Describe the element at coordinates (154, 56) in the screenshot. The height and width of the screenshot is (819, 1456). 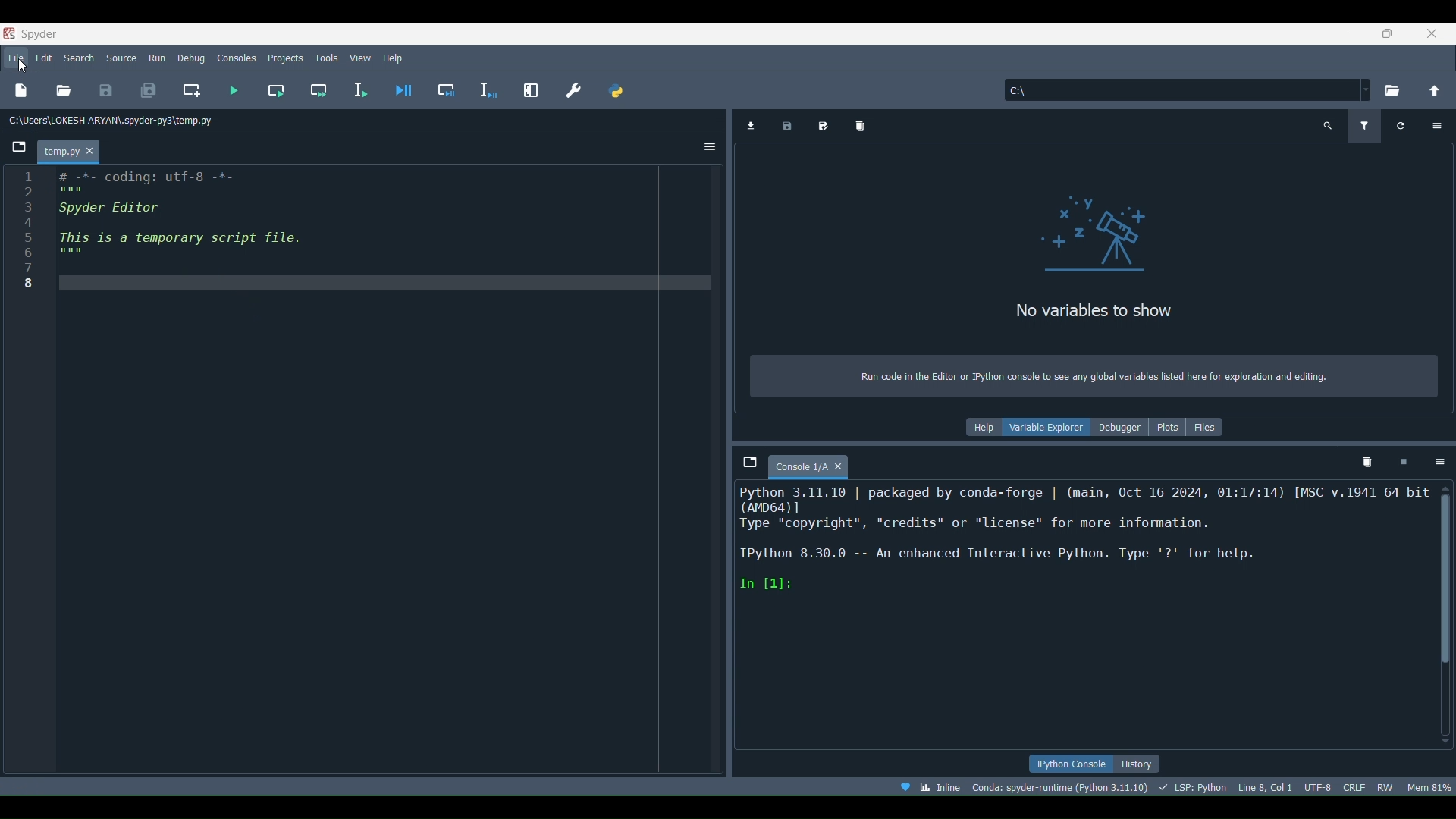
I see `Run` at that location.